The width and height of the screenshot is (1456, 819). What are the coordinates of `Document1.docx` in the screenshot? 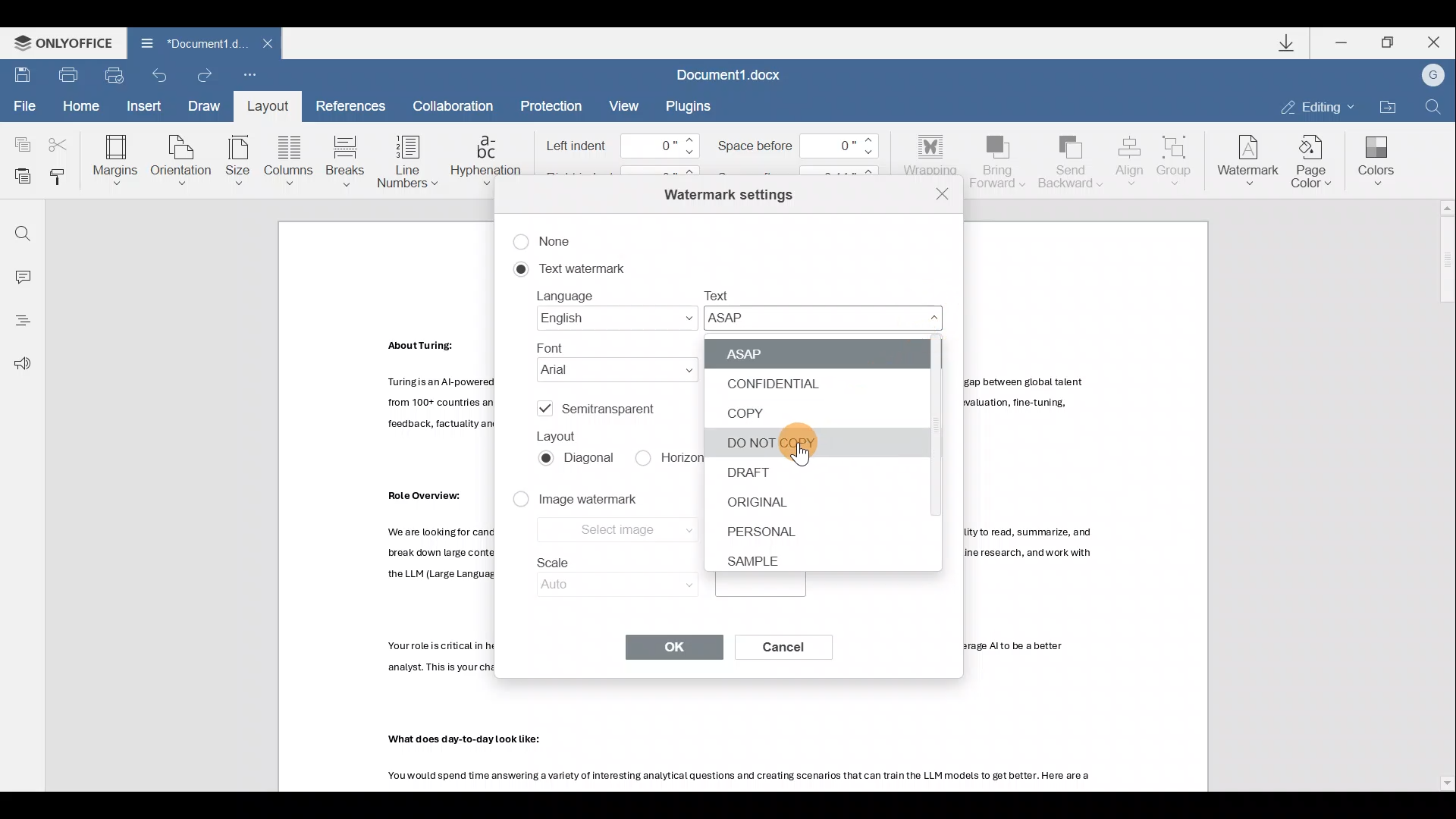 It's located at (733, 74).